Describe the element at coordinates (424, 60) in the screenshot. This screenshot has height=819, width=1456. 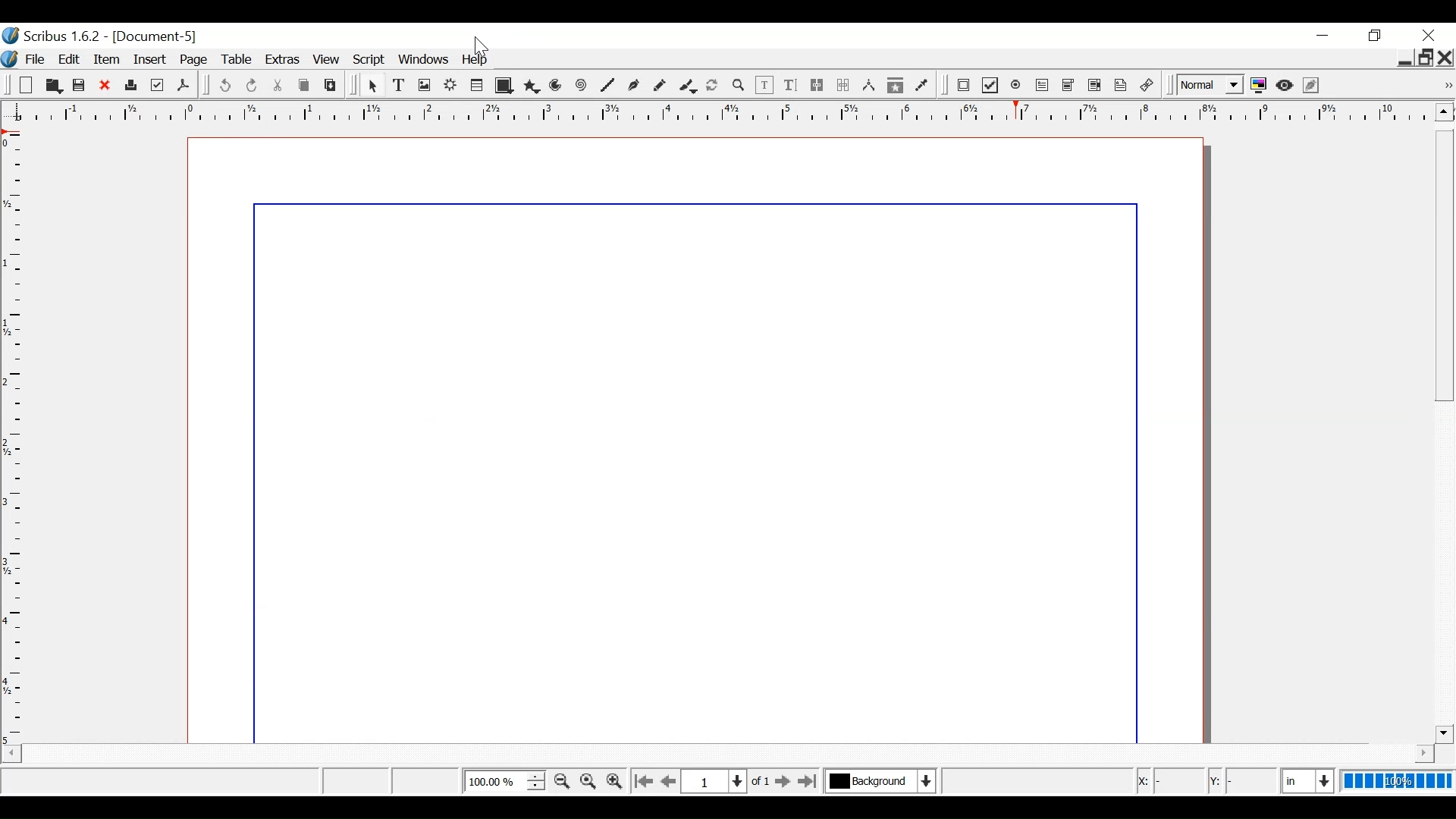
I see `Windows` at that location.